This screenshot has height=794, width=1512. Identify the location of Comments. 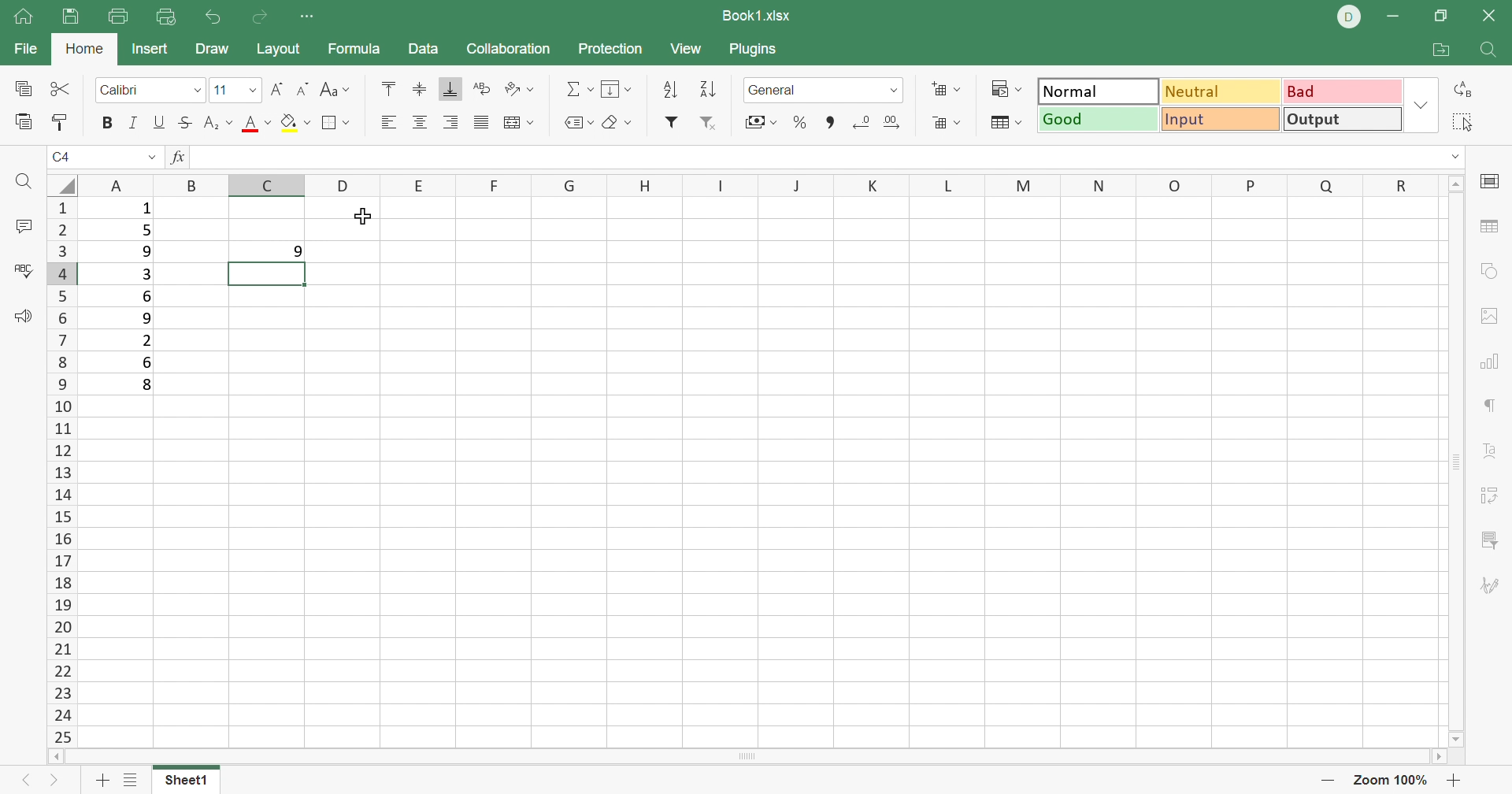
(26, 226).